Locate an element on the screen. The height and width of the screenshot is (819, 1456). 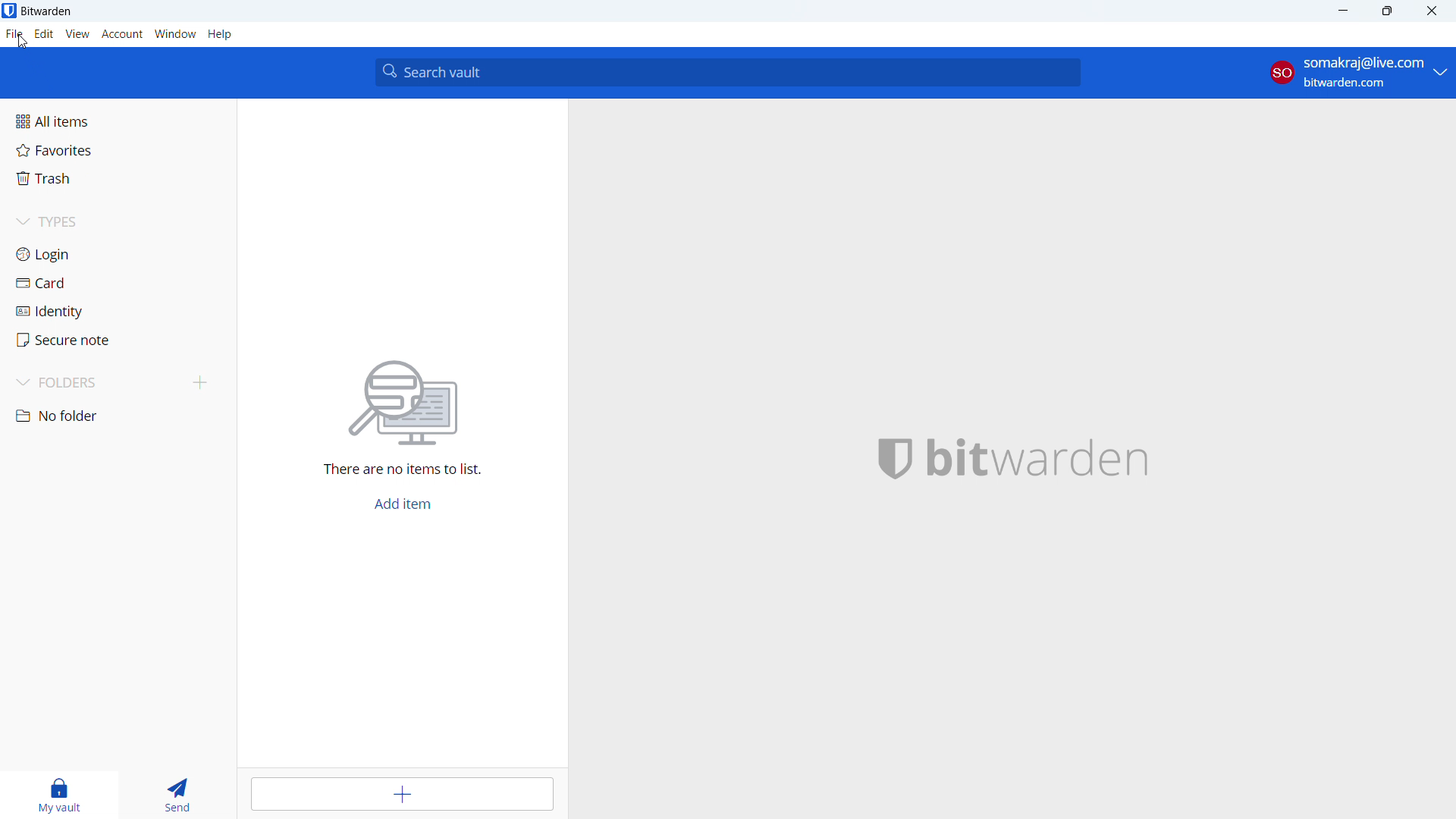
types is located at coordinates (115, 223).